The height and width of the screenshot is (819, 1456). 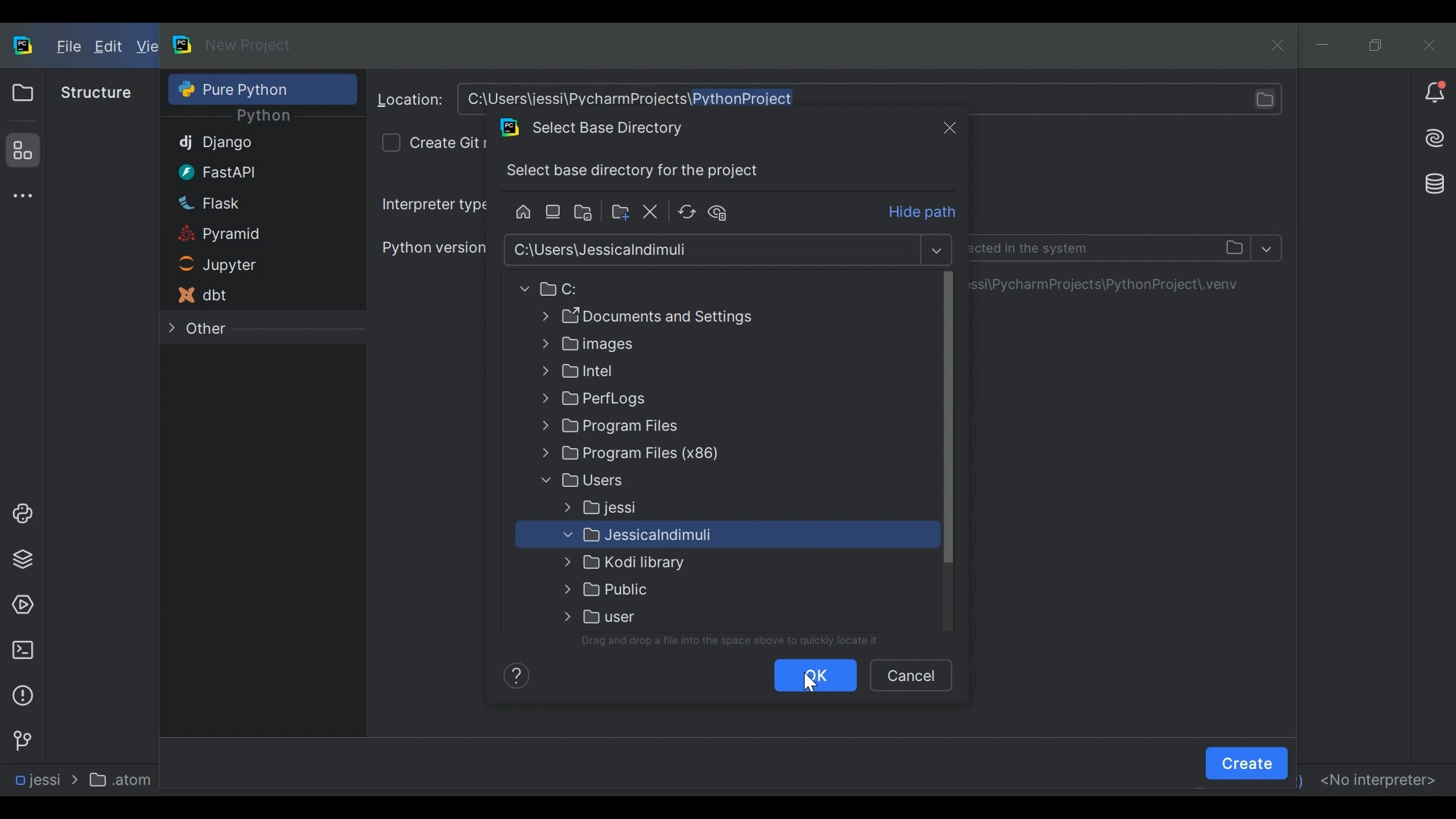 I want to click on Hide path, so click(x=924, y=213).